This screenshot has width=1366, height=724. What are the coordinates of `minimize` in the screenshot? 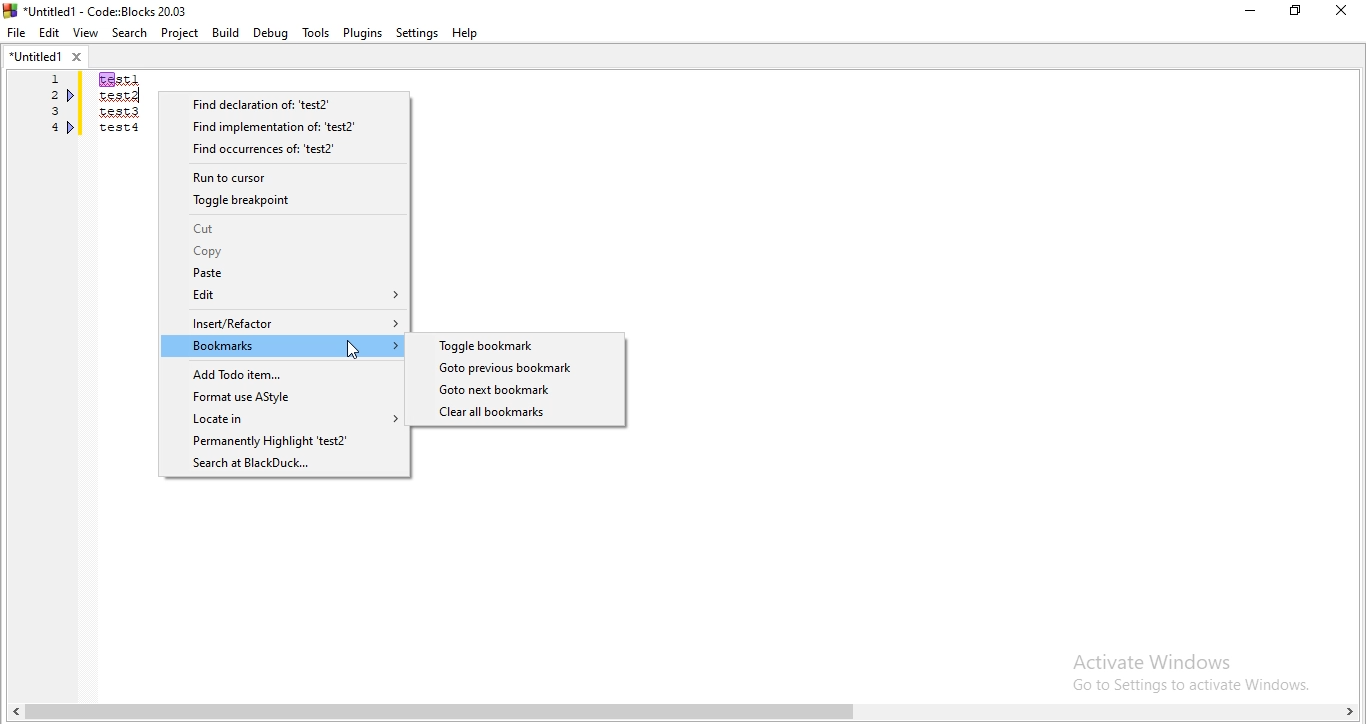 It's located at (1248, 12).